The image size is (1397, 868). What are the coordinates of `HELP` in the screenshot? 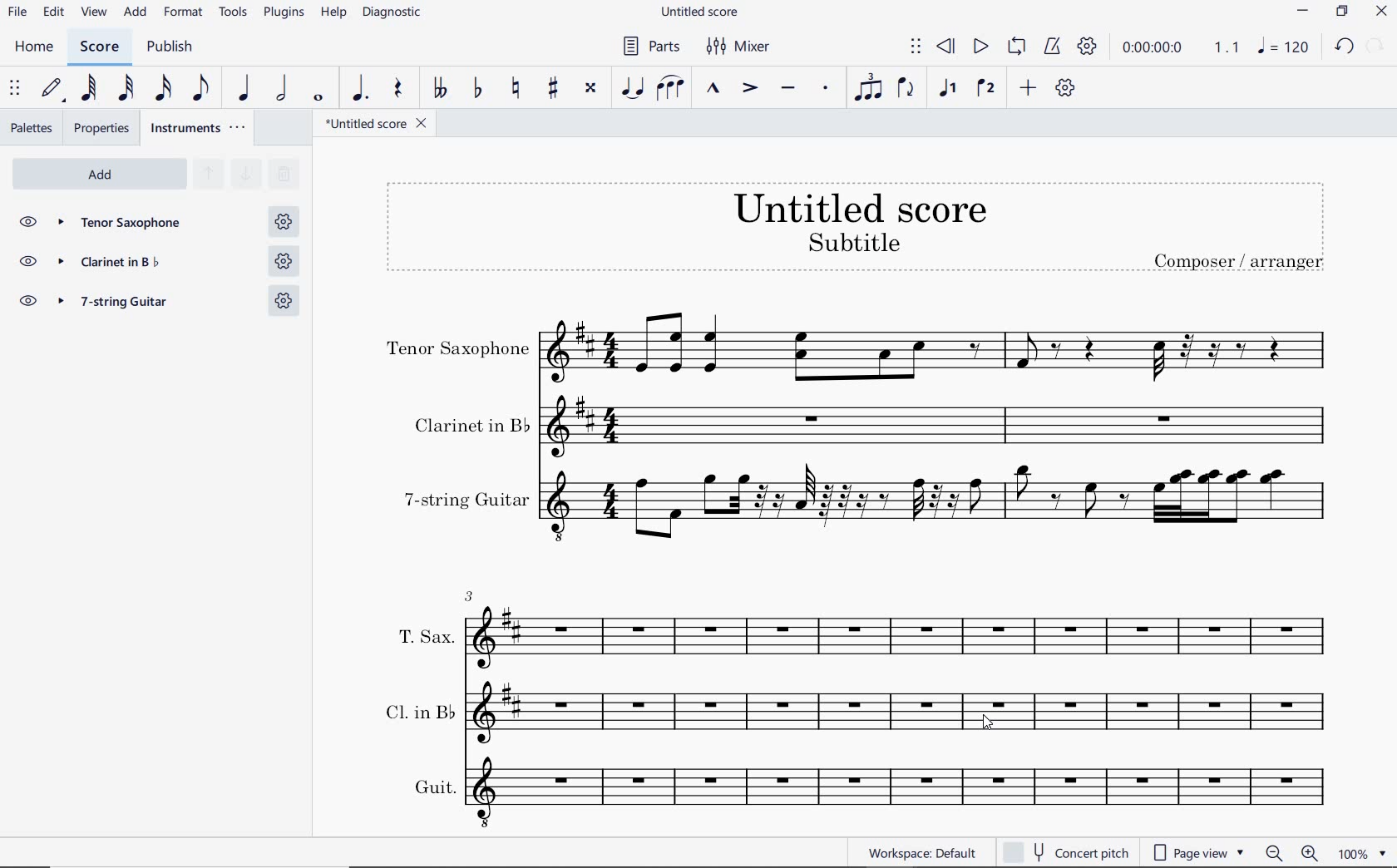 It's located at (331, 14).